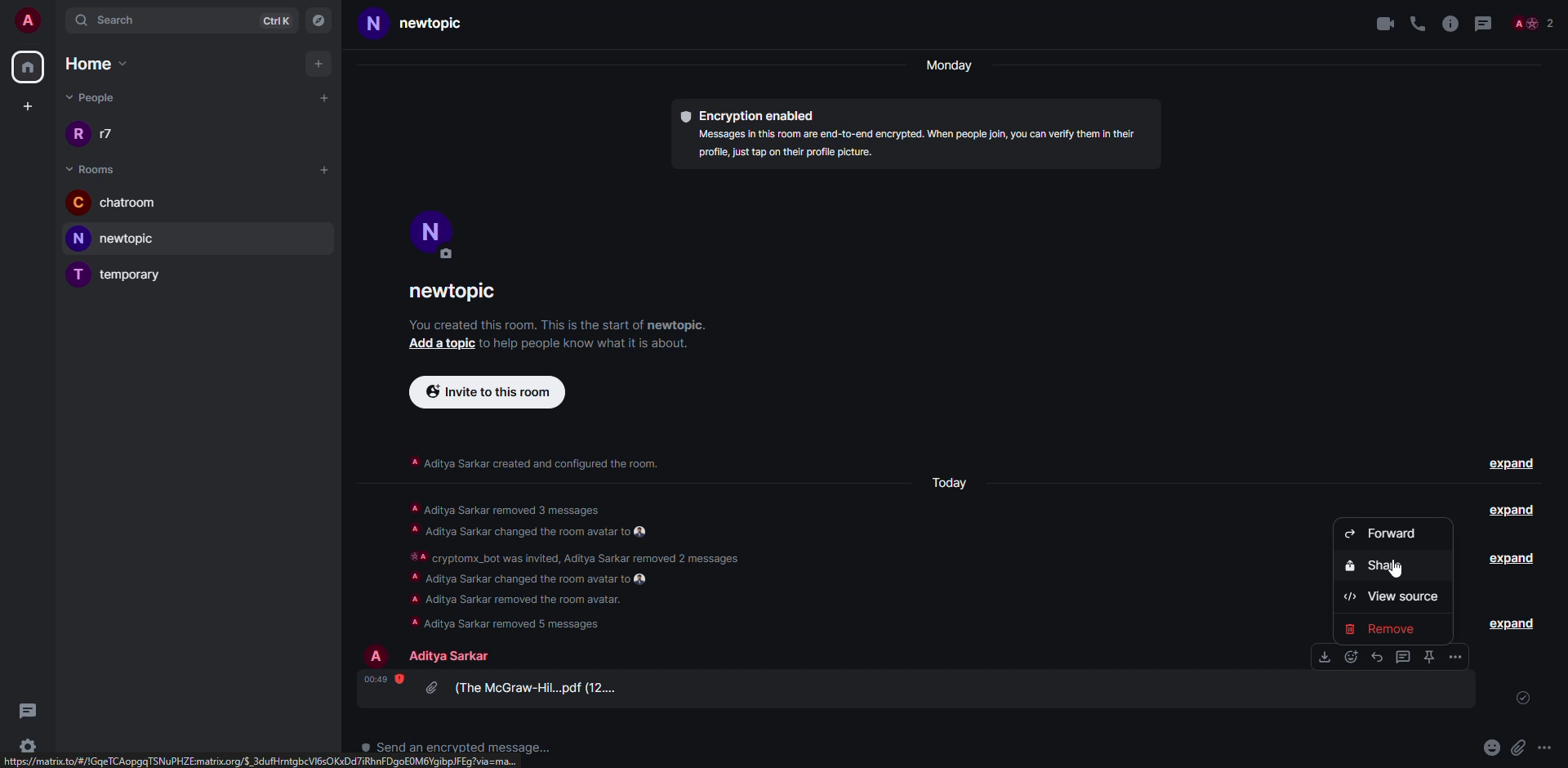  I want to click on Messages in this room are end-to-end encrypted. When people join, you can verify them In their
profile, just tap on their profile picture., so click(914, 145).